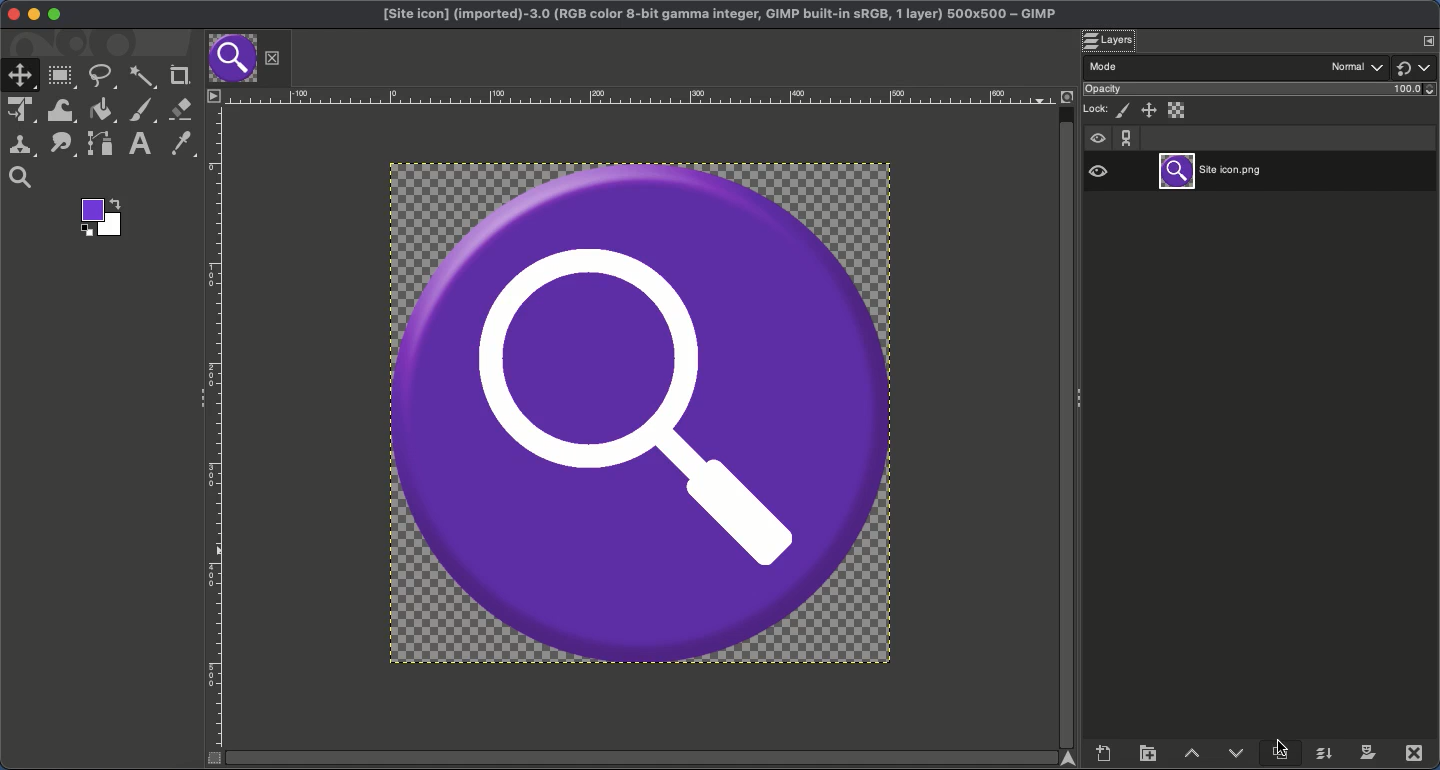  What do you see at coordinates (18, 111) in the screenshot?
I see `Unified transformation` at bounding box center [18, 111].